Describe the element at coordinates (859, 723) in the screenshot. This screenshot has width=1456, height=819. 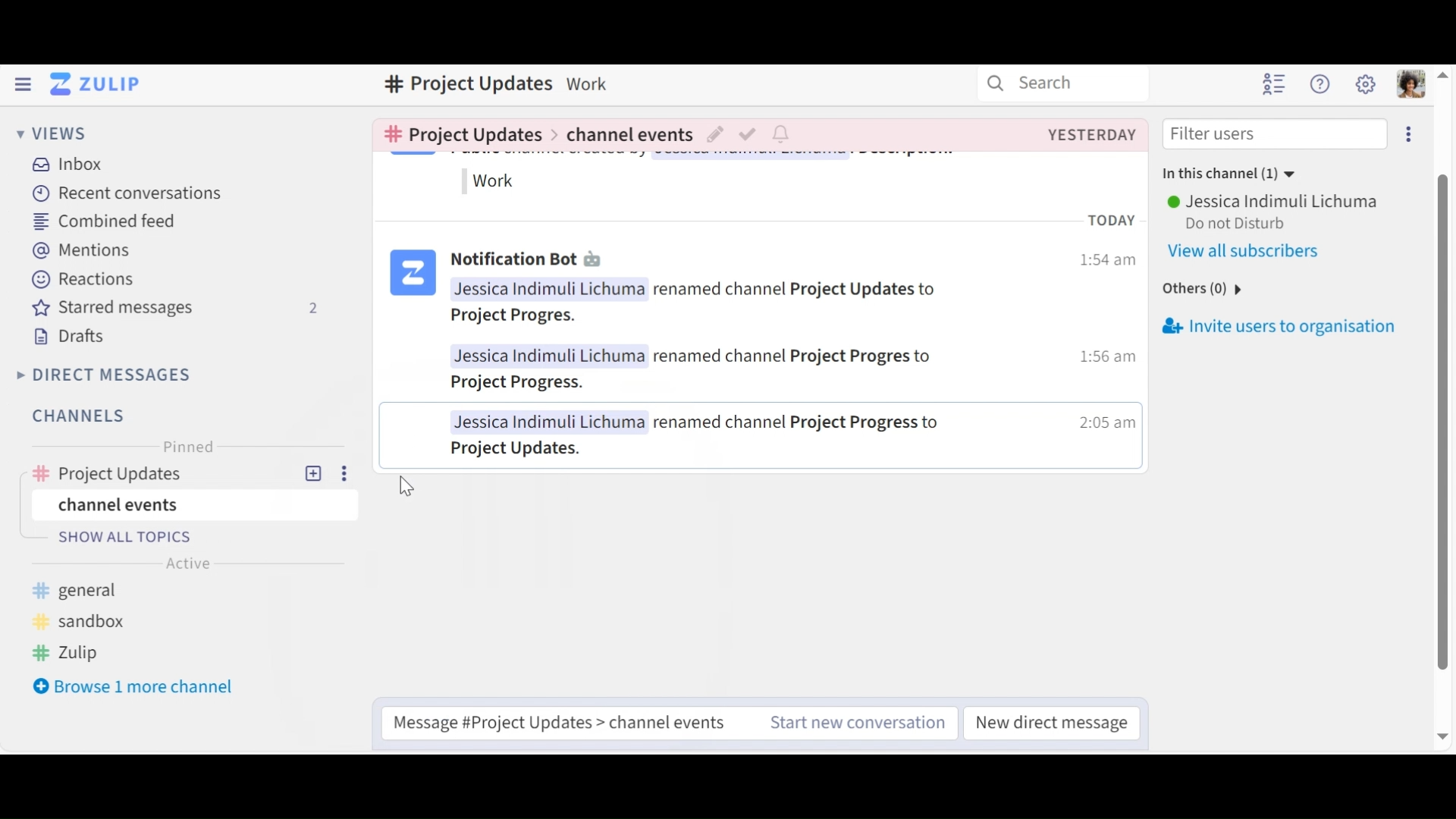
I see `Start new conversation` at that location.